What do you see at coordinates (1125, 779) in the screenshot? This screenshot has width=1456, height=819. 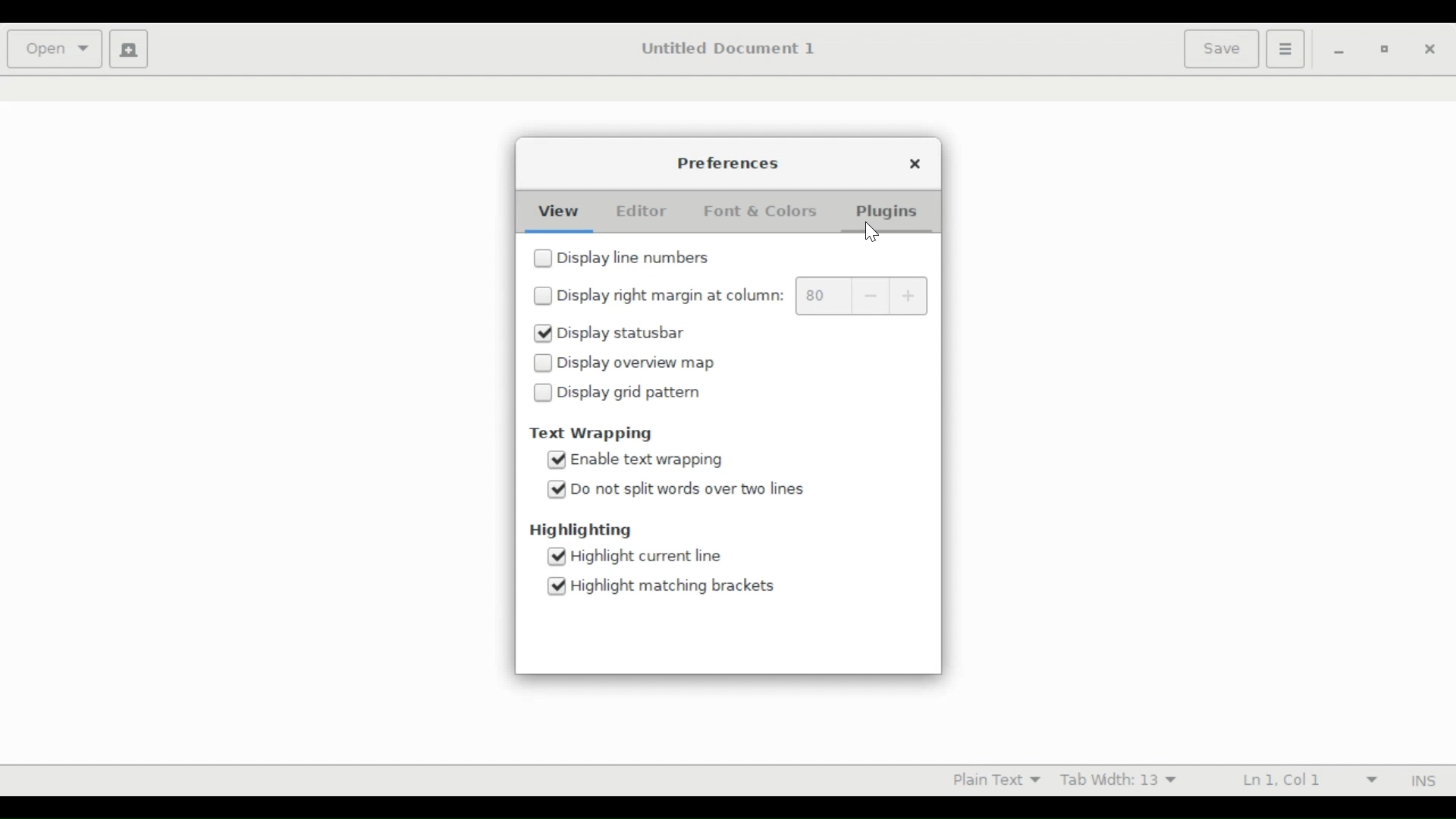 I see `Tab Width 13` at bounding box center [1125, 779].